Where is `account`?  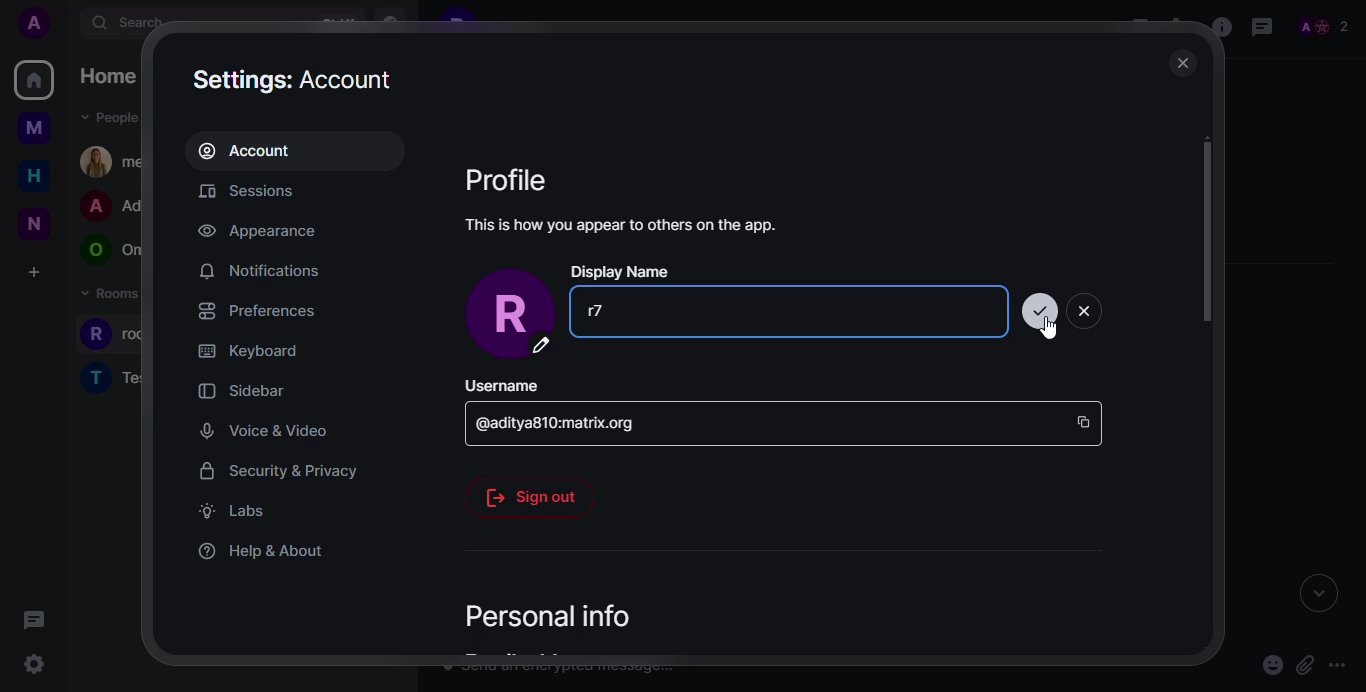
account is located at coordinates (254, 150).